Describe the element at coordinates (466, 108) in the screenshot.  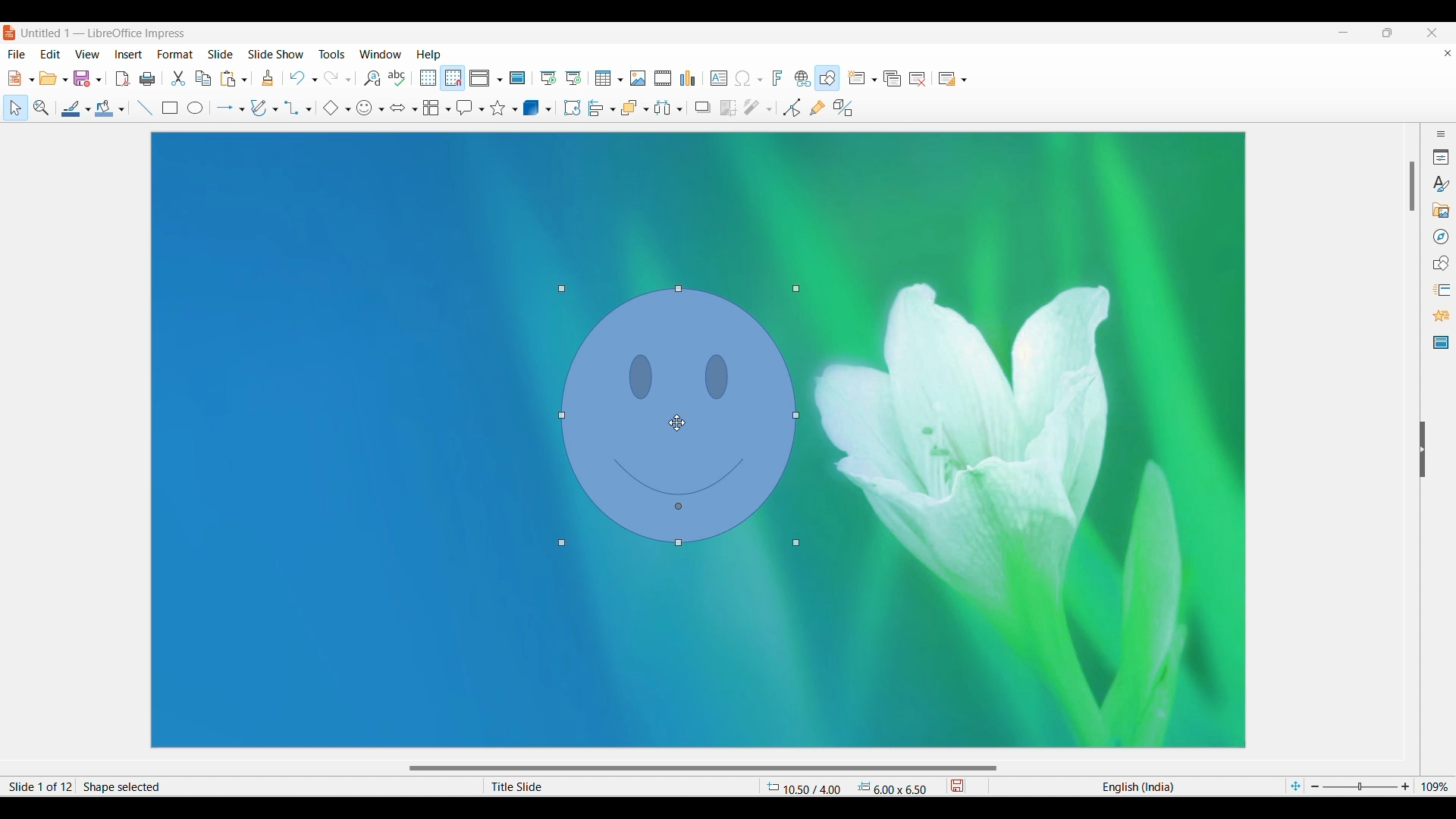
I see `Selected callout shape` at that location.